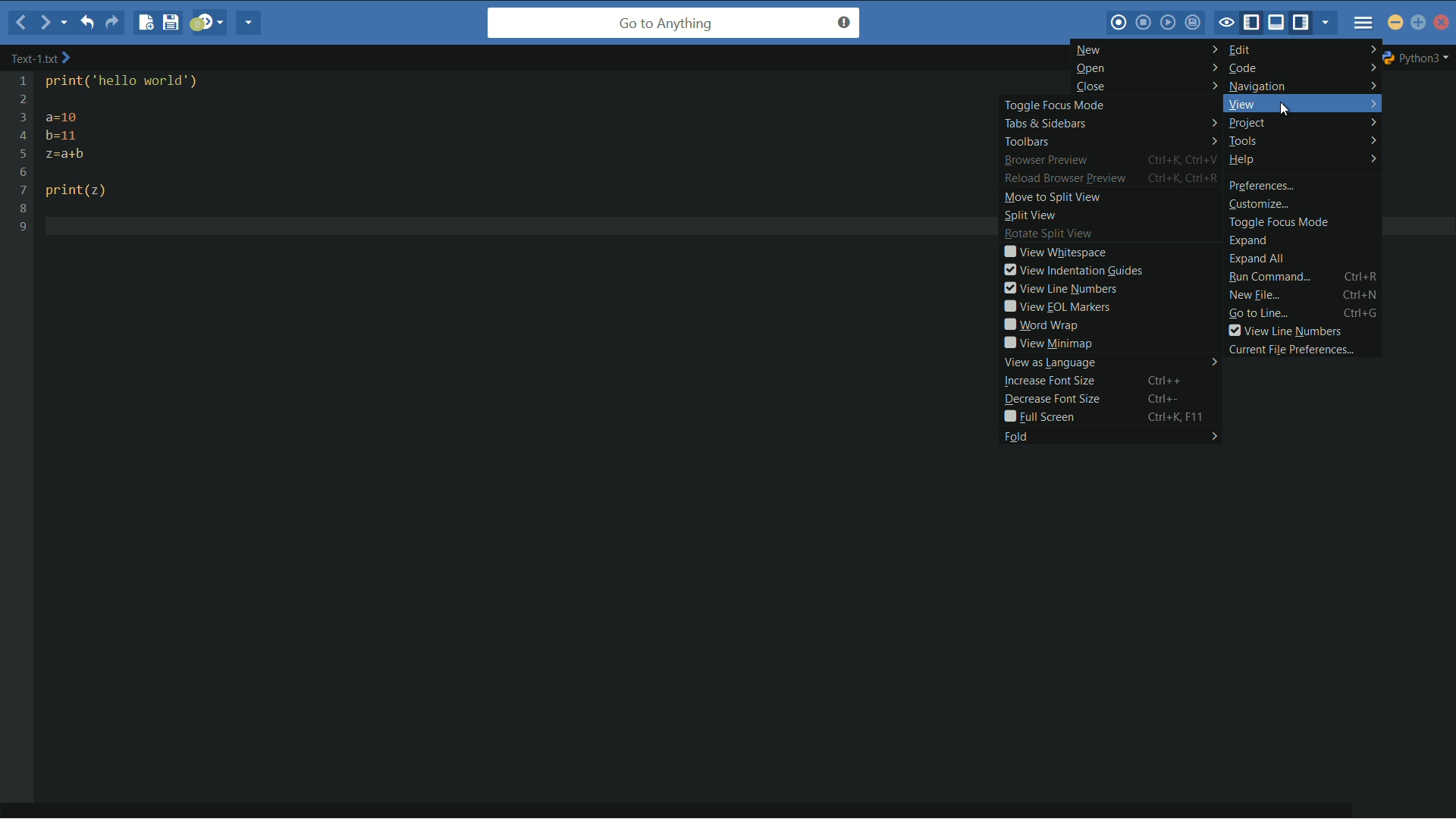 This screenshot has height=819, width=1456. Describe the element at coordinates (1299, 68) in the screenshot. I see `code` at that location.